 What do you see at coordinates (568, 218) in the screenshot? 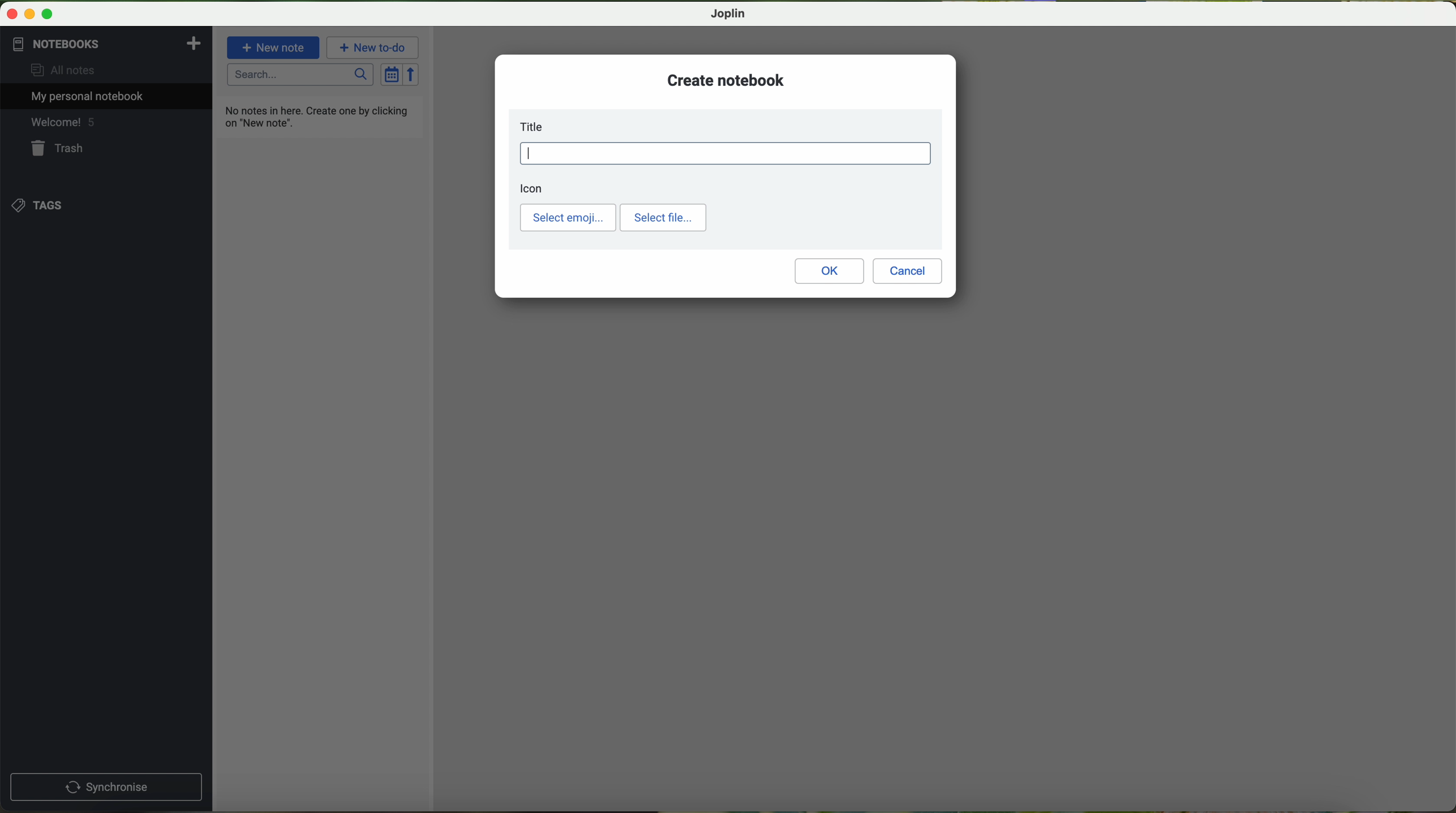
I see `select emoji` at bounding box center [568, 218].